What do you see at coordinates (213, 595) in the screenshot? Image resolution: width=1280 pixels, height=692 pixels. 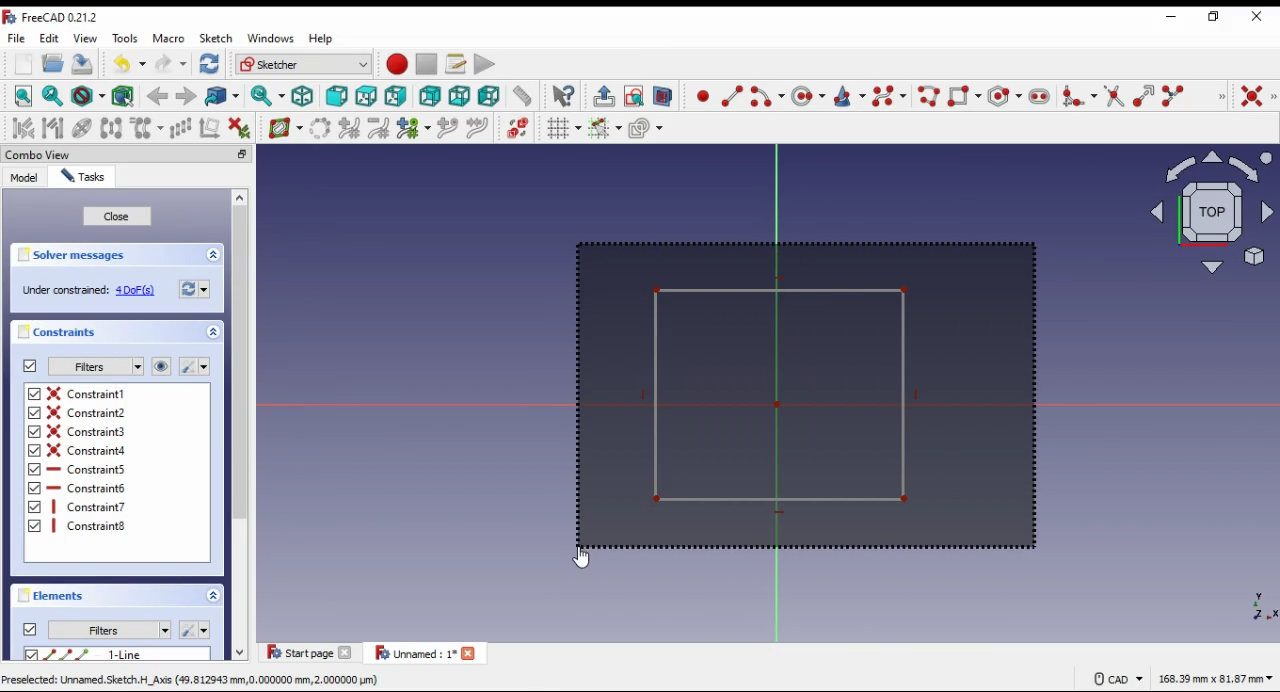 I see `expand/collapse` at bounding box center [213, 595].